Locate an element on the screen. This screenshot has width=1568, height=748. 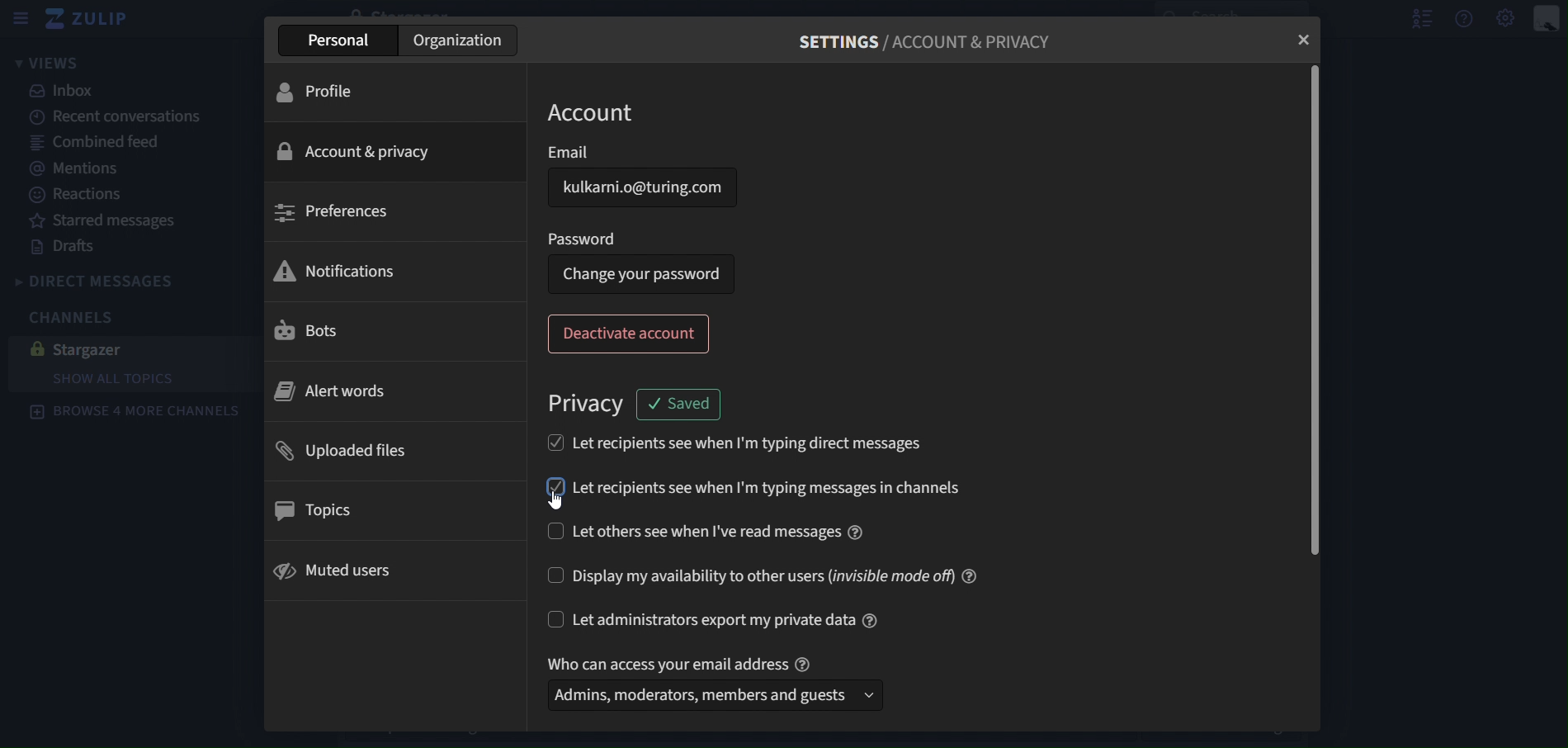
sidebar is located at coordinates (20, 21).